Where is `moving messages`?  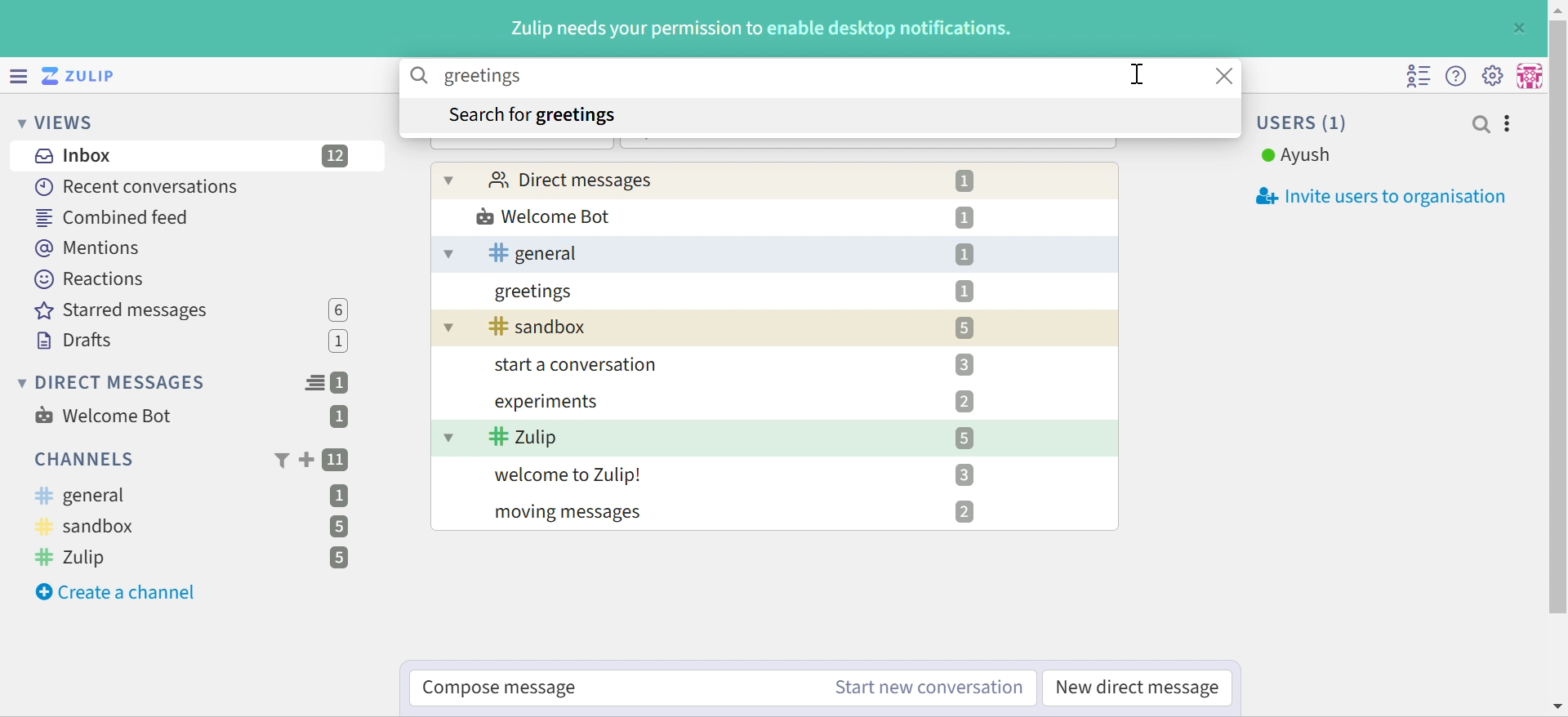
moving messages is located at coordinates (572, 514).